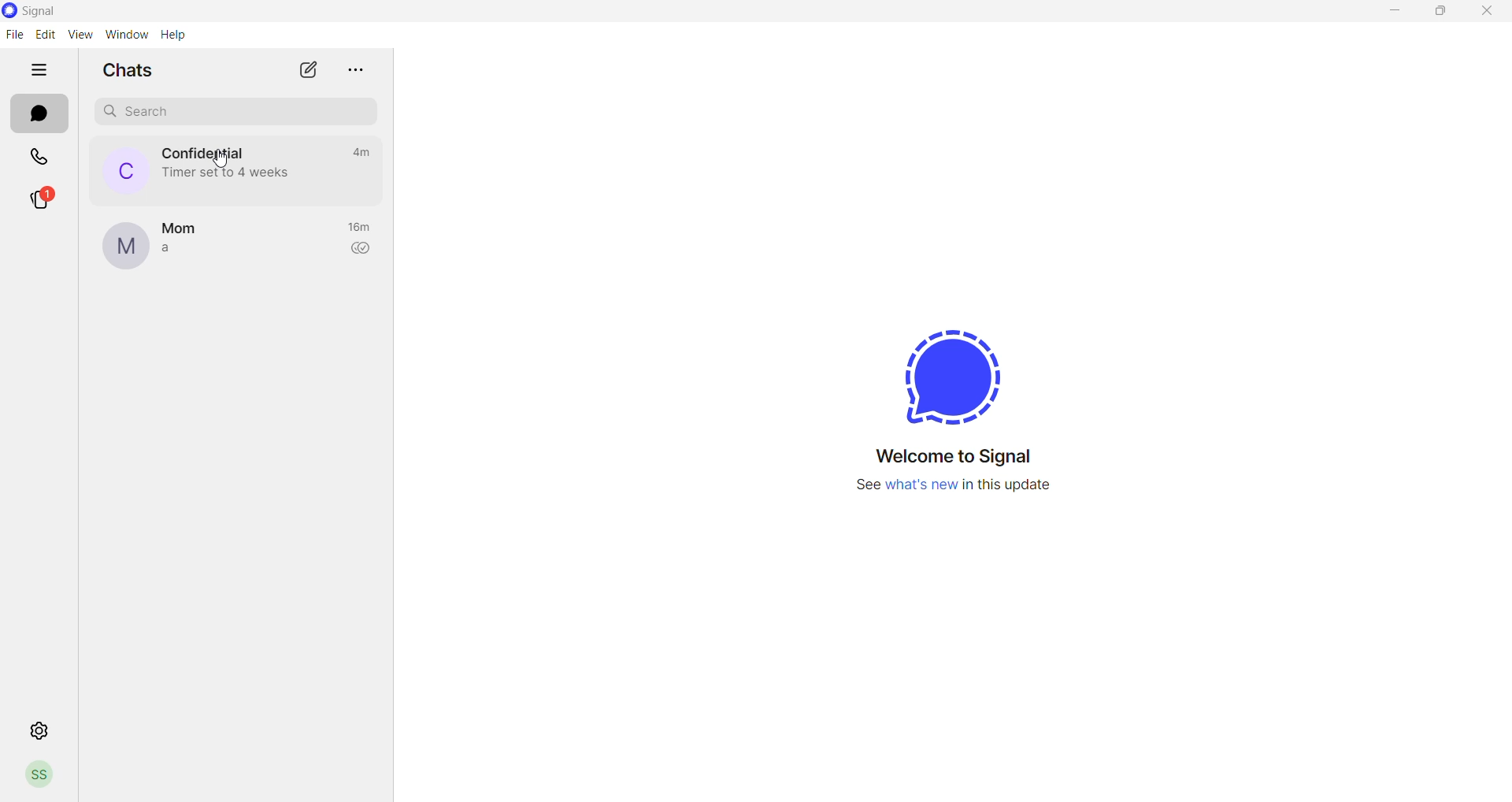 The width and height of the screenshot is (1512, 802). What do you see at coordinates (174, 35) in the screenshot?
I see `help` at bounding box center [174, 35].